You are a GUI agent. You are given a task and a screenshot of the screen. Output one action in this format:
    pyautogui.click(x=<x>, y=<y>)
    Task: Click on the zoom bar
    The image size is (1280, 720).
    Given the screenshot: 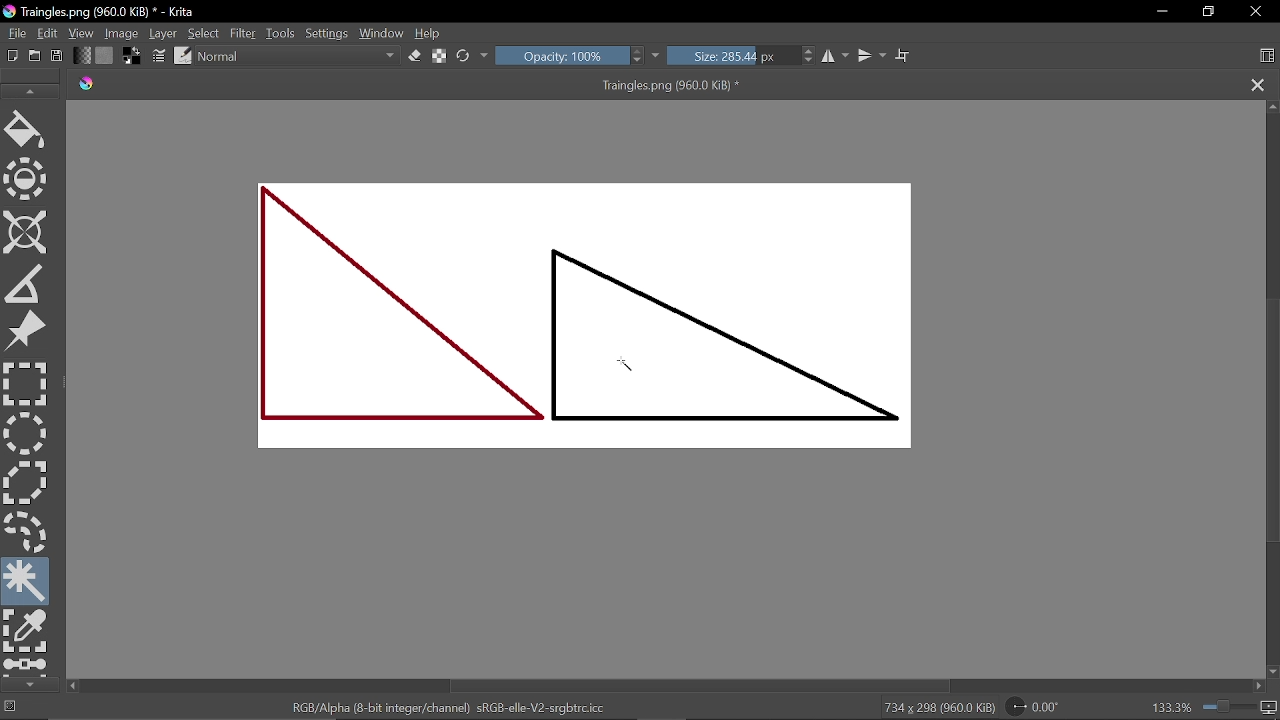 What is the action you would take?
    pyautogui.click(x=1227, y=707)
    